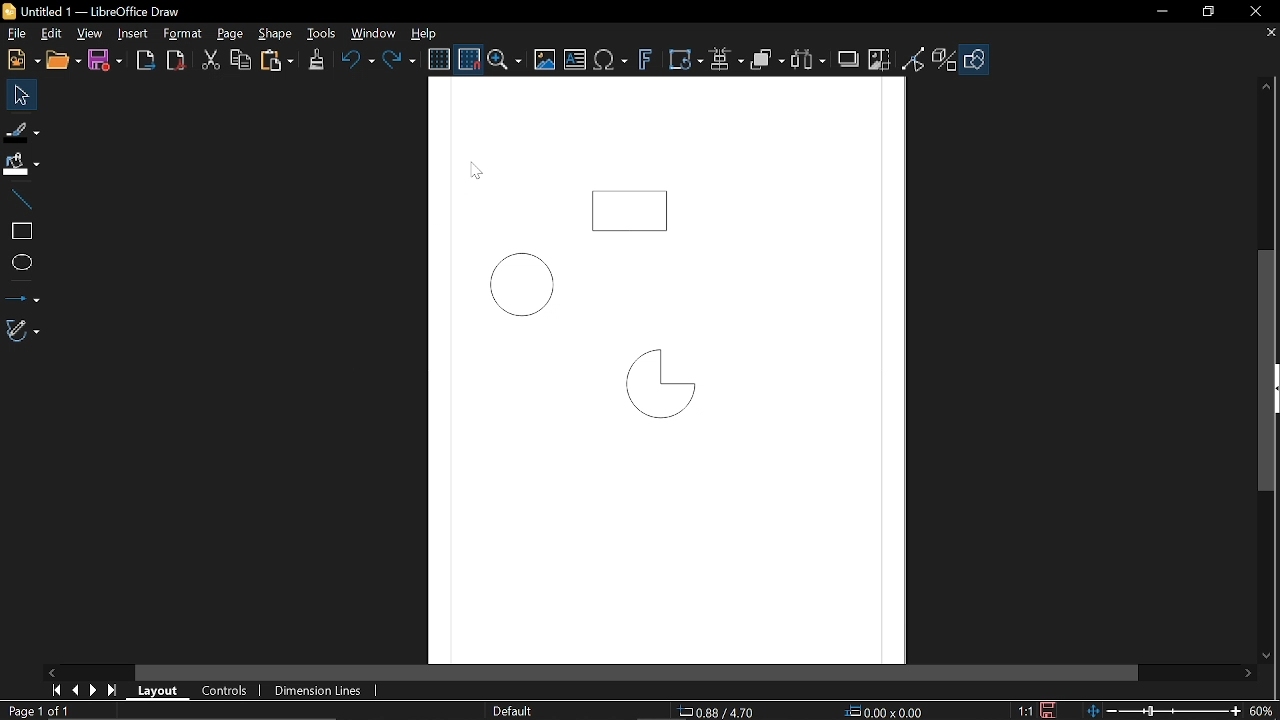  What do you see at coordinates (642, 62) in the screenshot?
I see `Insert fontwork` at bounding box center [642, 62].